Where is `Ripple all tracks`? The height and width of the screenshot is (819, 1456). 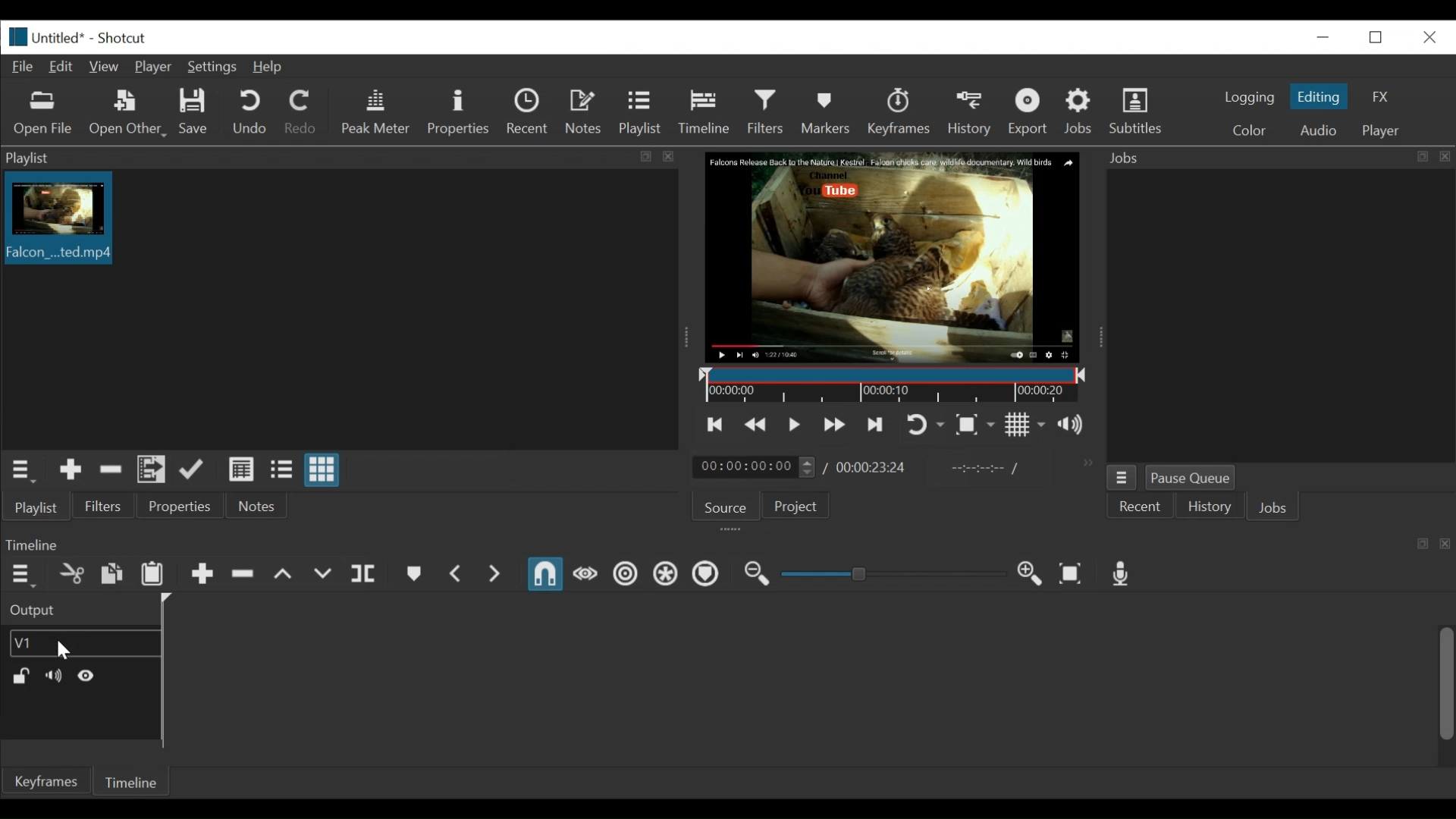 Ripple all tracks is located at coordinates (665, 574).